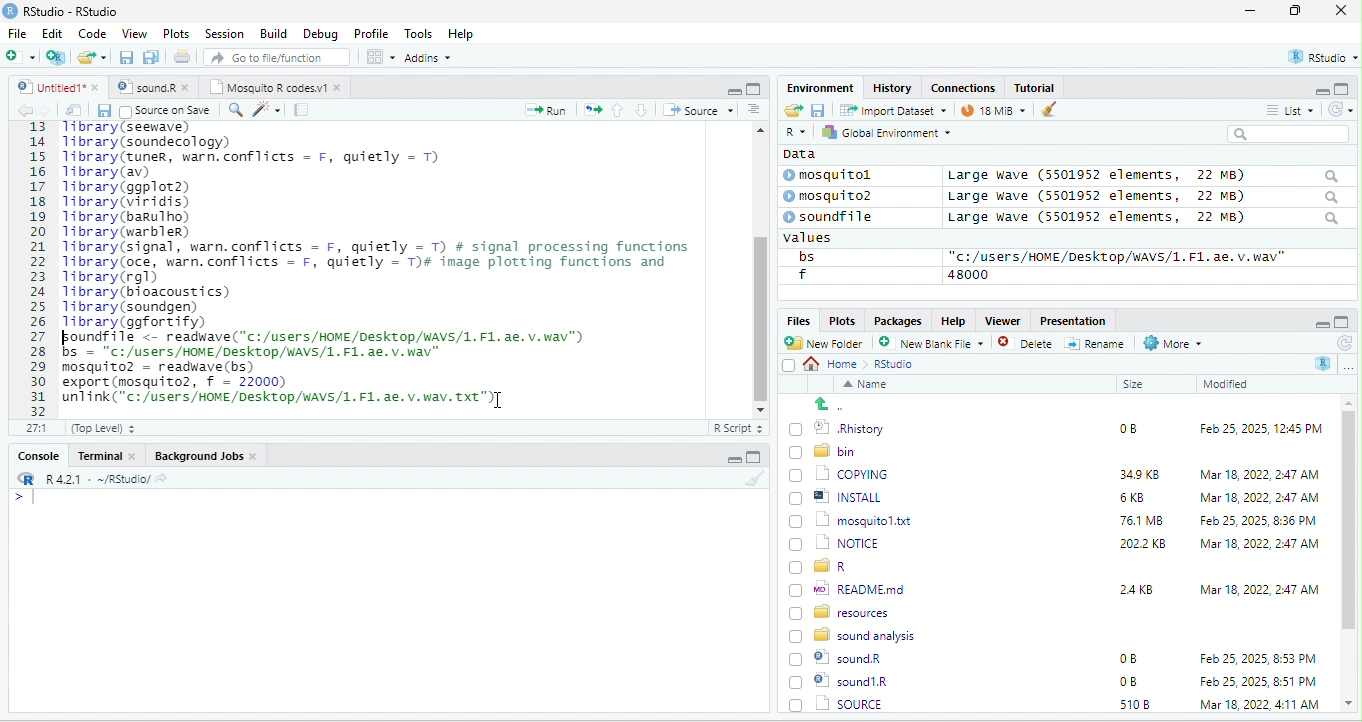  I want to click on  Home, so click(836, 363).